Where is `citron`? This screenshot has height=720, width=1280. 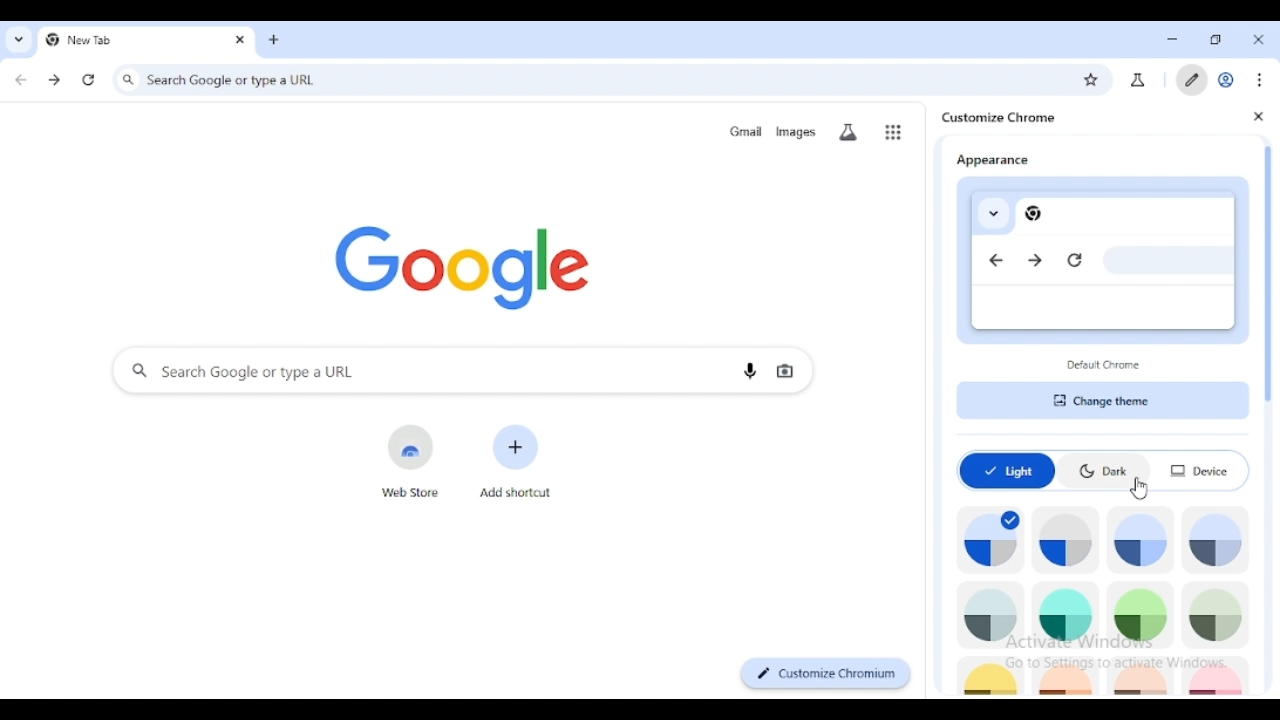 citron is located at coordinates (993, 678).